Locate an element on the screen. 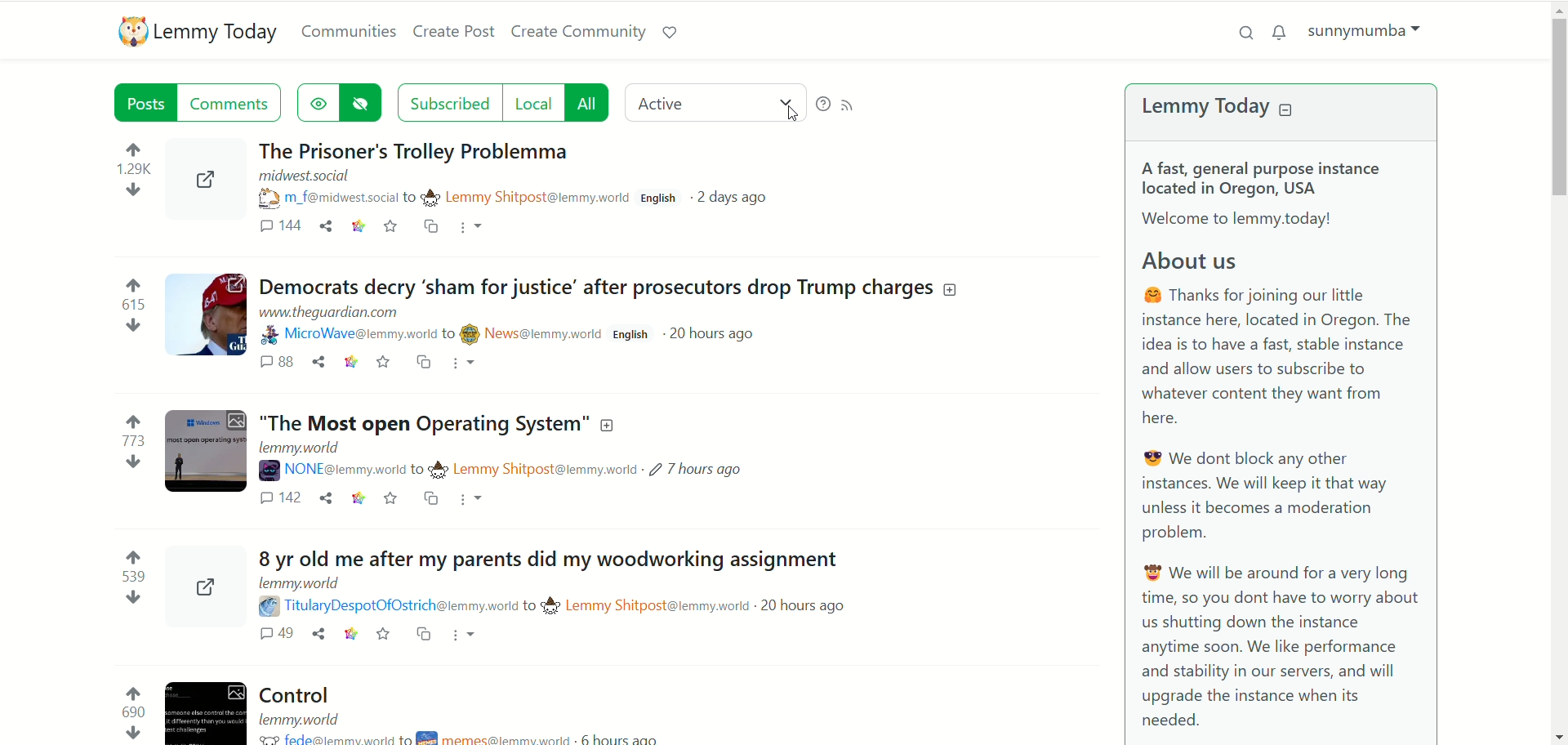  hide post is located at coordinates (364, 102).